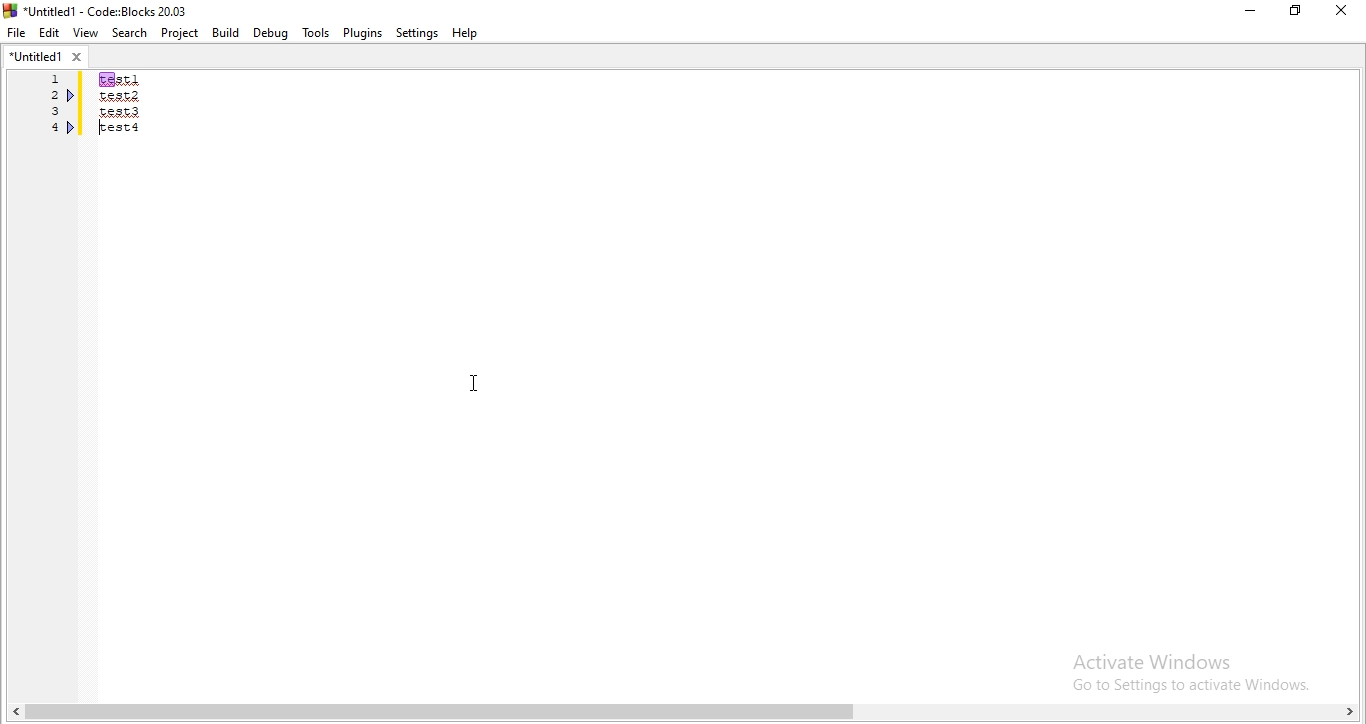  Describe the element at coordinates (98, 9) in the screenshot. I see `logo` at that location.